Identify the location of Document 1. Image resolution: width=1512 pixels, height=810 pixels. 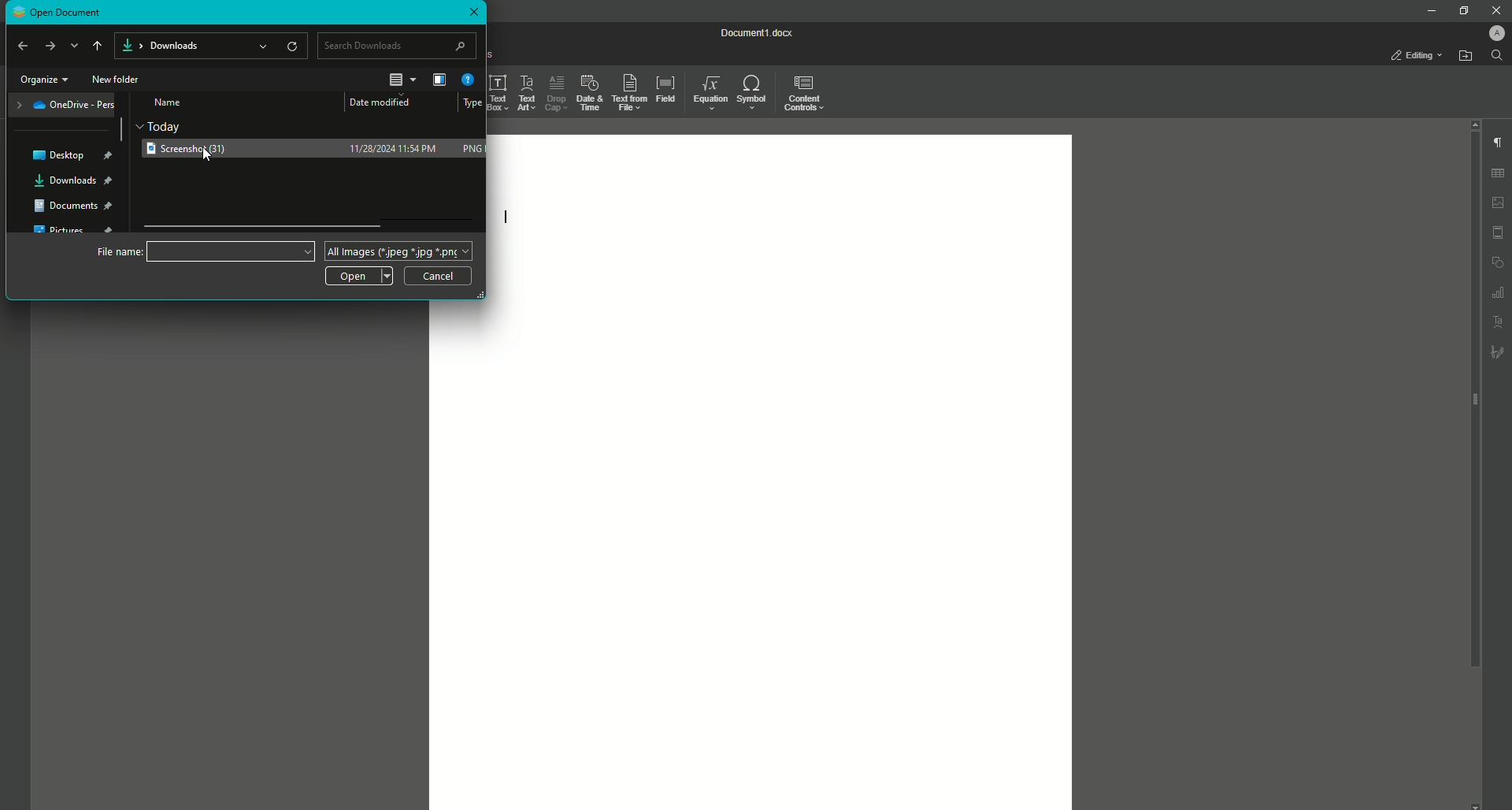
(756, 32).